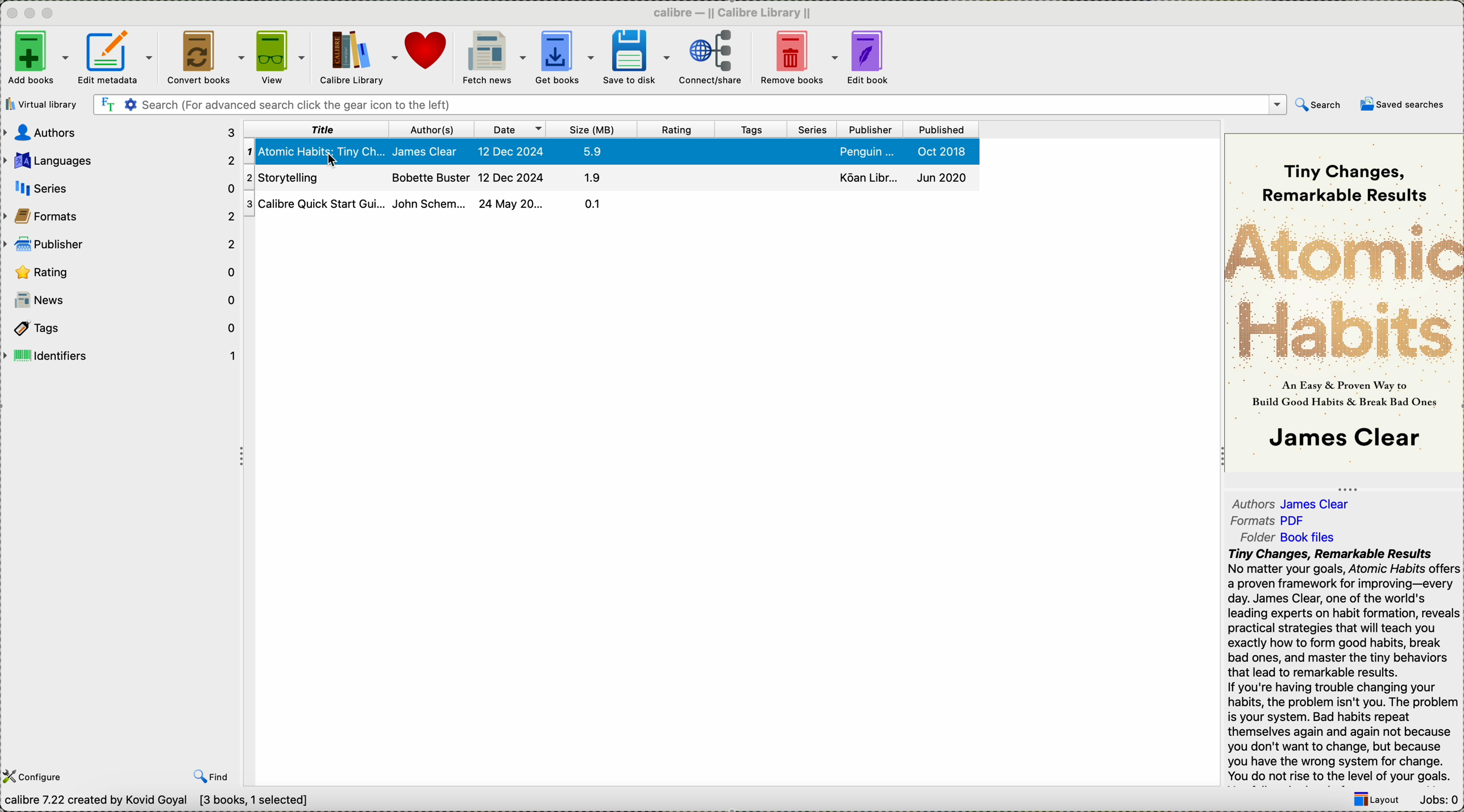 The image size is (1464, 812). What do you see at coordinates (1319, 107) in the screenshot?
I see `search` at bounding box center [1319, 107].